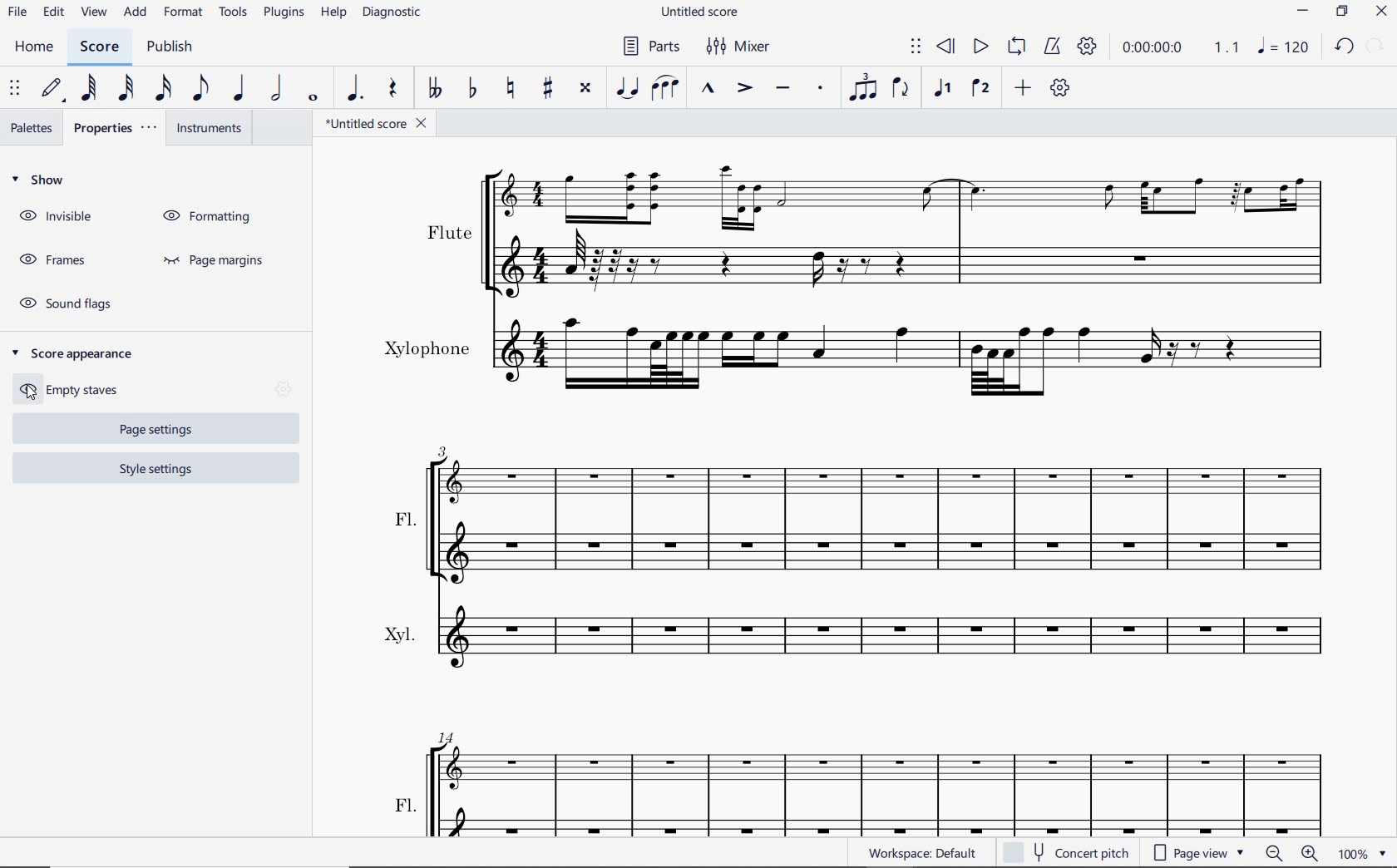 The height and width of the screenshot is (868, 1397). Describe the element at coordinates (1286, 47) in the screenshot. I see `NOTE` at that location.